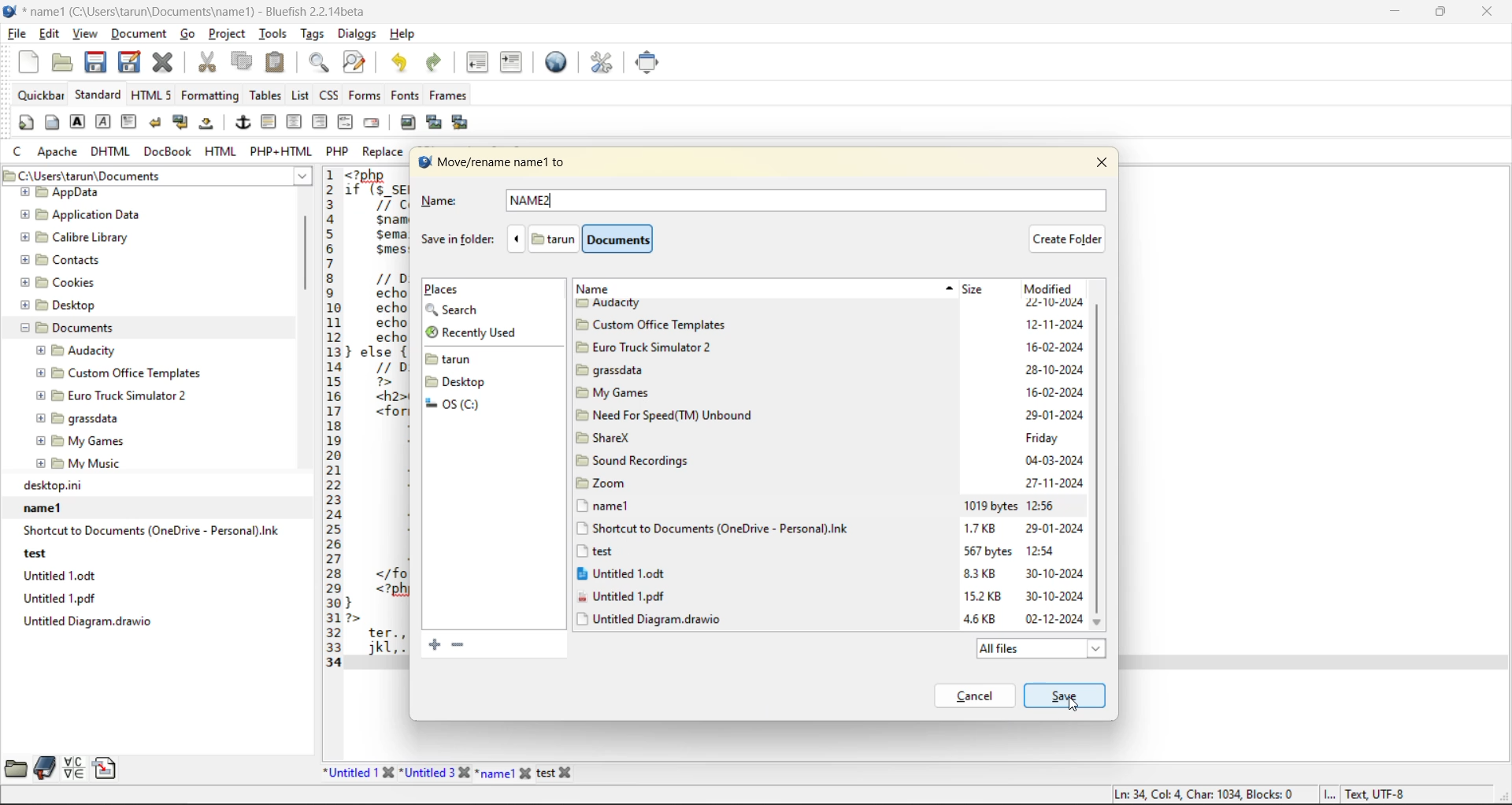 The width and height of the screenshot is (1512, 805). Describe the element at coordinates (402, 63) in the screenshot. I see `undo` at that location.